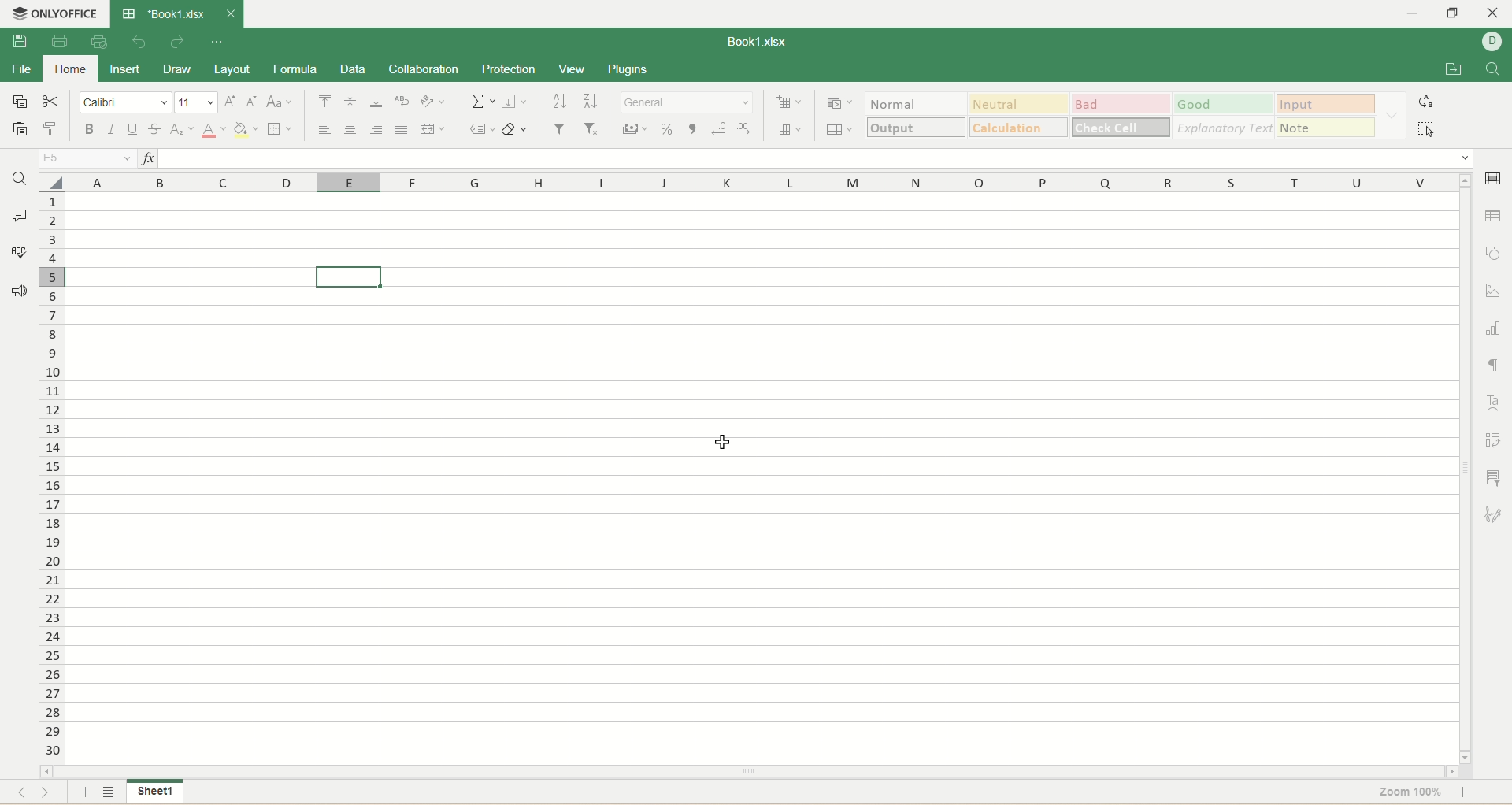  Describe the element at coordinates (20, 254) in the screenshot. I see `spell check` at that location.